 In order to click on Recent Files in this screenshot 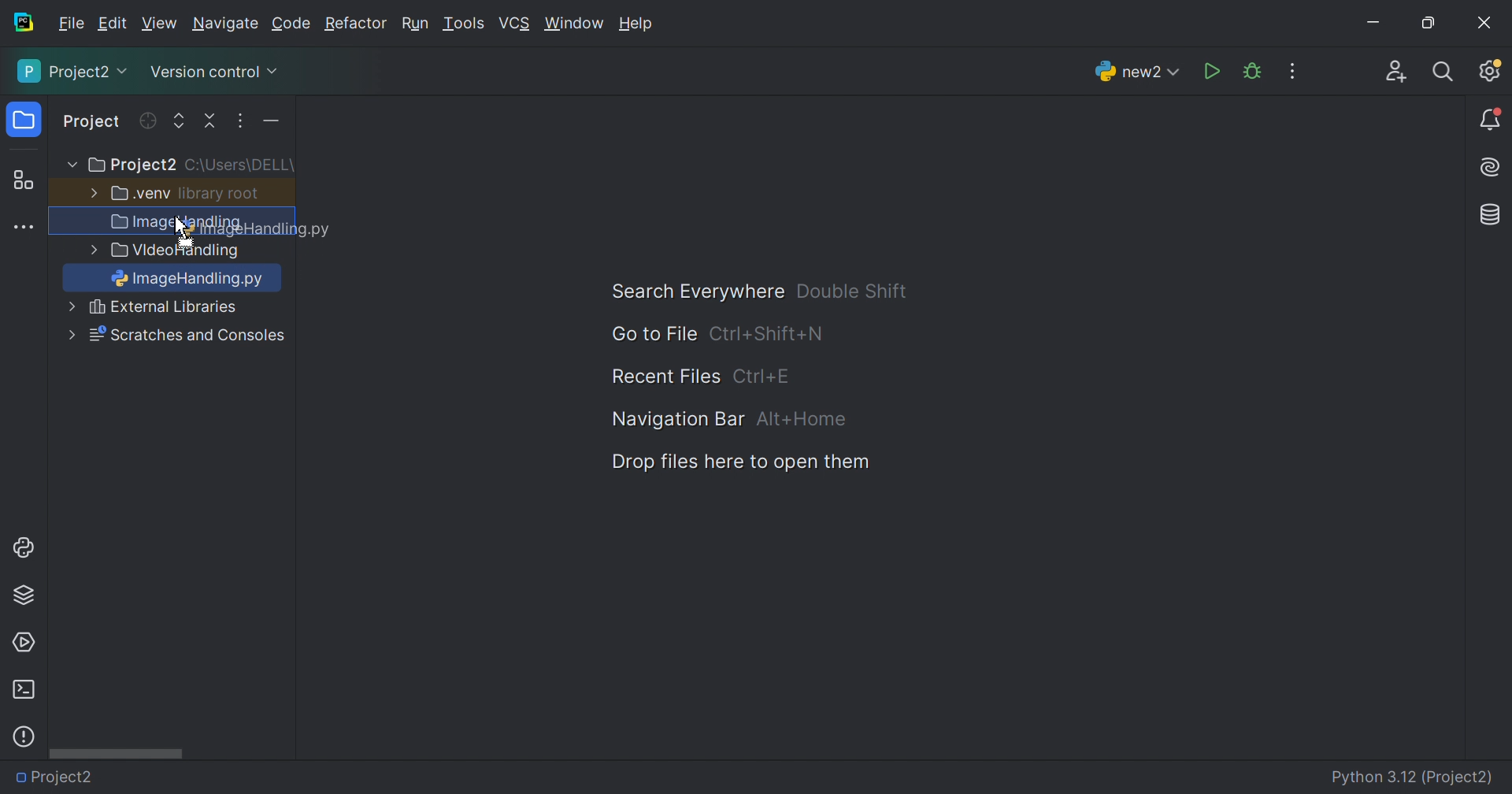, I will do `click(665, 377)`.